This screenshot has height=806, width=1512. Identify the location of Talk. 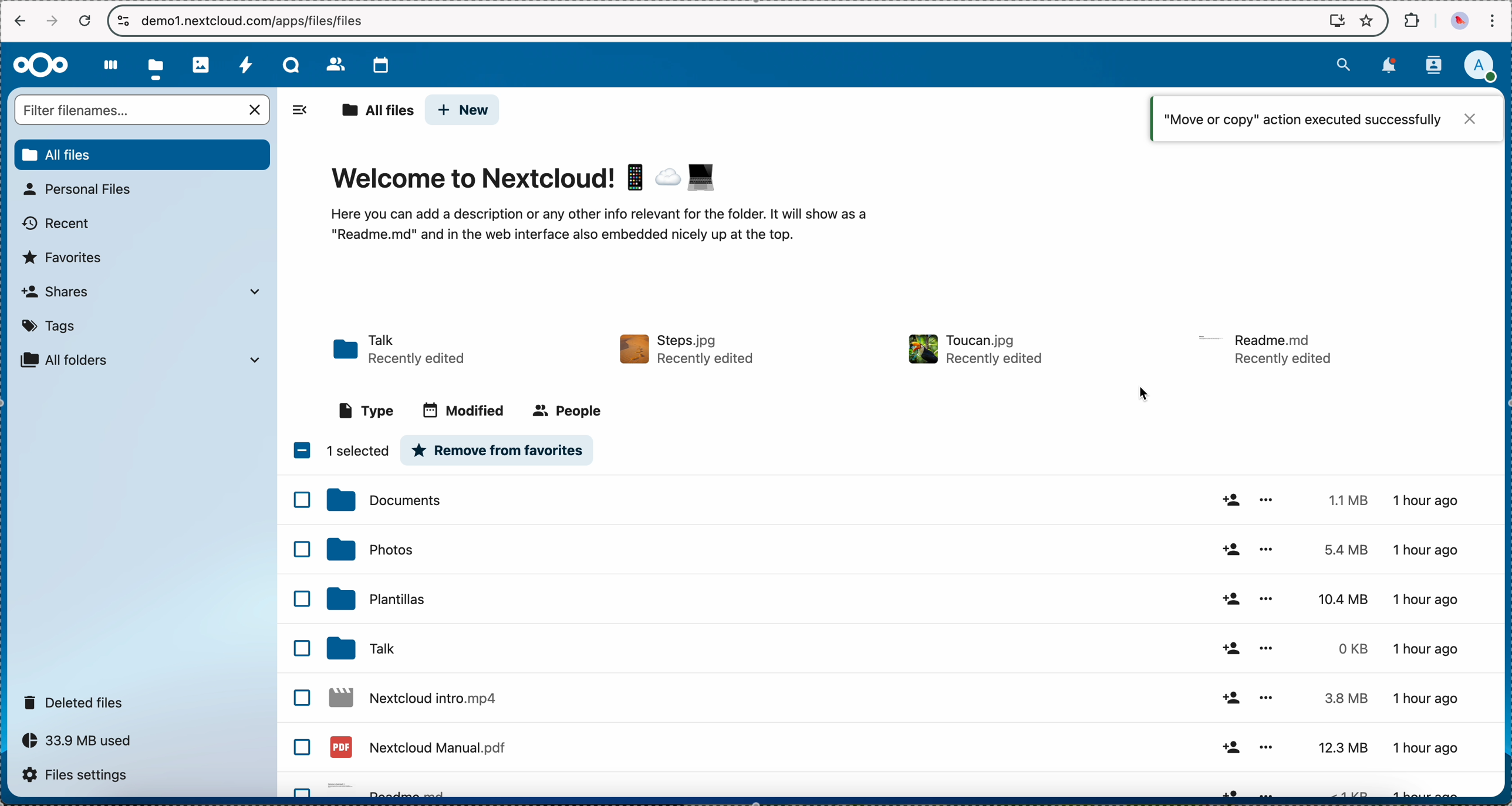
(896, 699).